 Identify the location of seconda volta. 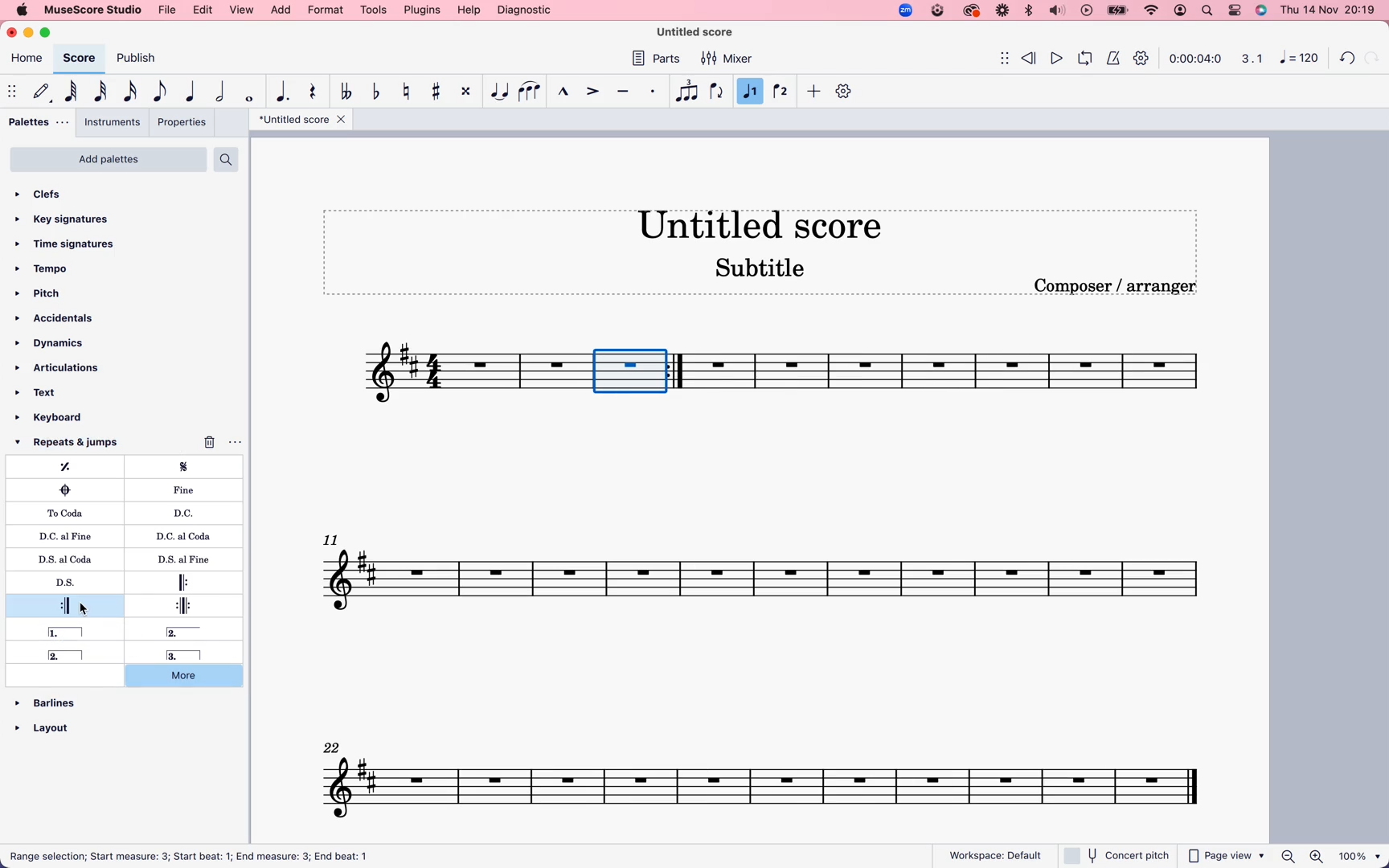
(194, 632).